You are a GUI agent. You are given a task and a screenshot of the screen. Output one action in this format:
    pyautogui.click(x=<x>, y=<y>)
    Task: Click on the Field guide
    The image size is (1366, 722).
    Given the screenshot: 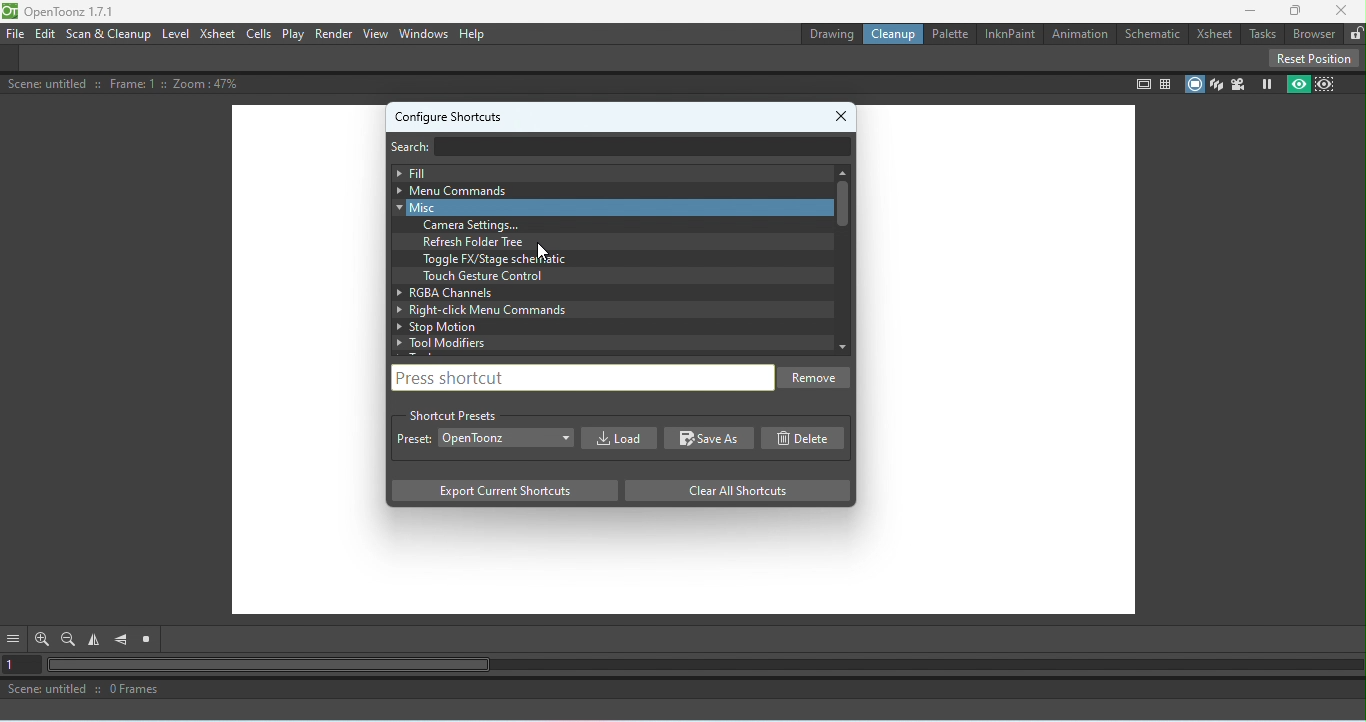 What is the action you would take?
    pyautogui.click(x=1166, y=83)
    